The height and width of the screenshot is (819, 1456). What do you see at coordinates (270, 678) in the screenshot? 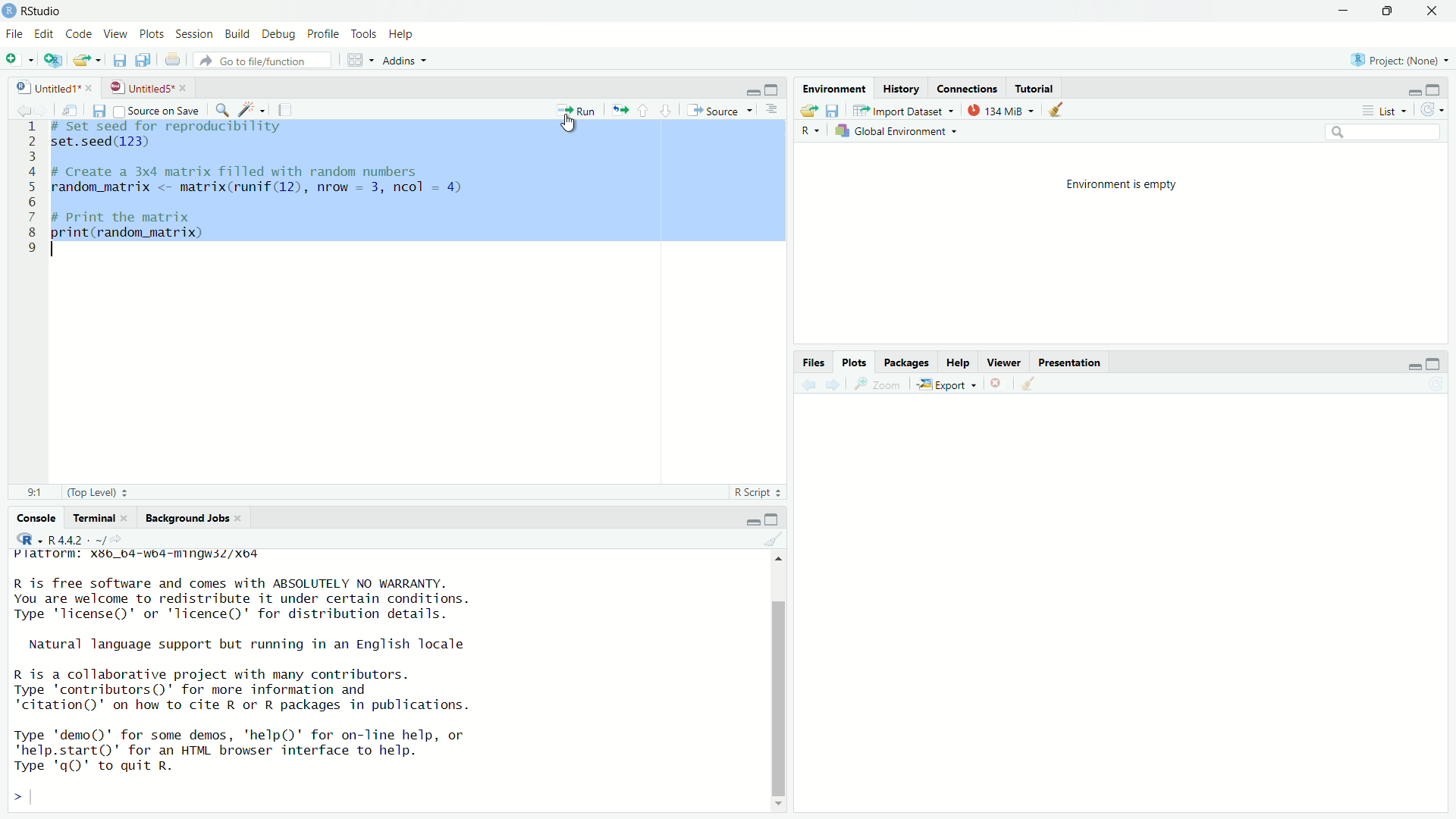
I see `rPlatrorm. Xx3b_b4-wo4-mingwsZ/xo4

R is free software and comes with ABSOLUTELY NO WARRANTY.

You are welcome to redistribute it under certain conditions.

Type 'license()' or 'licence()' for distribution details.
Natural language support but running in an English locale

R is a collaborative project with many contributors.

Type 'contributors()' for more information and

‘citation()' on how to cite R or R packages in publications.

Type 'demo()' for some demos, 'help()' for on-line help, or

'help.start()' for an HTML browser interface to help.

Type 'qQ)' to quit R.

>` at bounding box center [270, 678].